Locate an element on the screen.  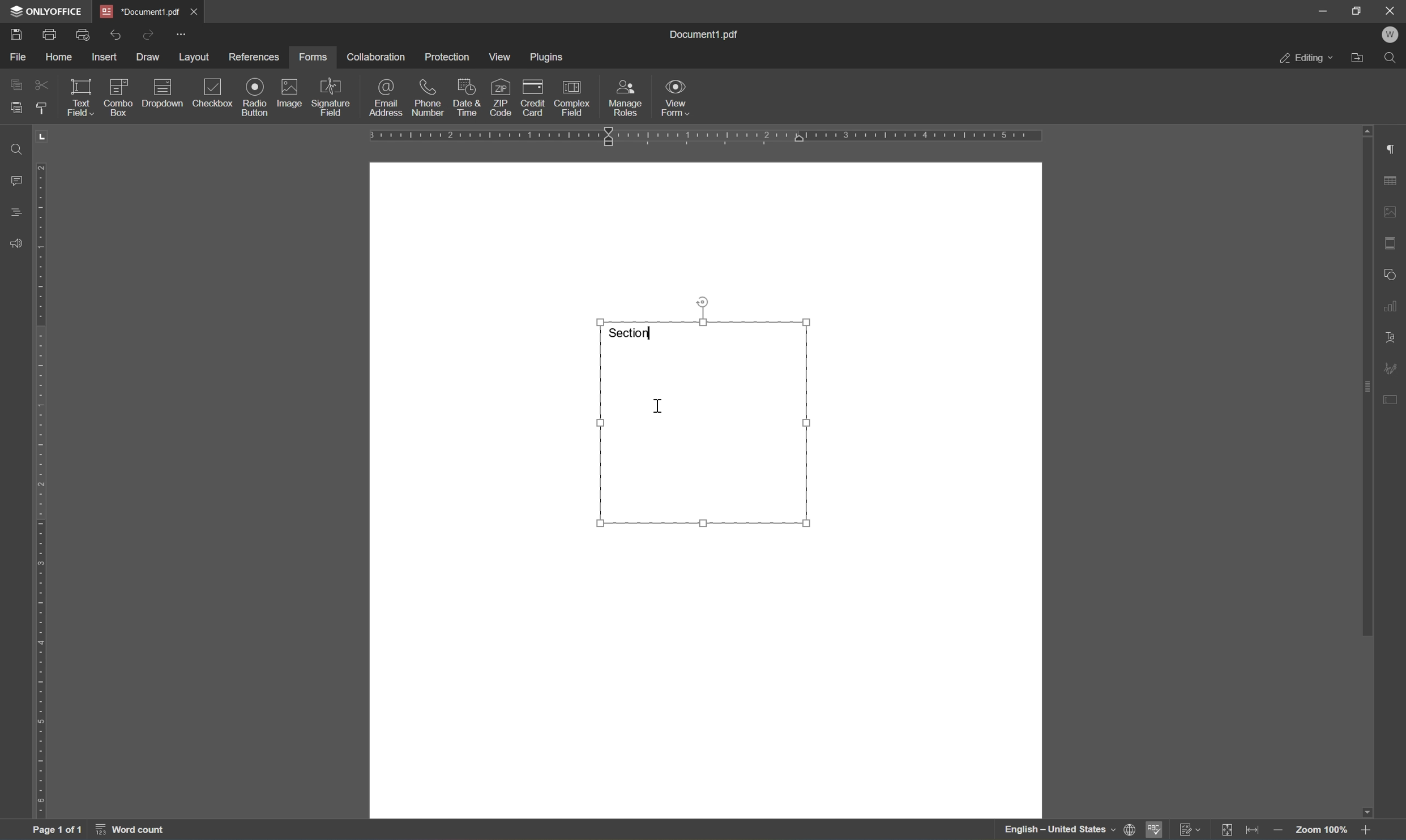
headings is located at coordinates (16, 212).